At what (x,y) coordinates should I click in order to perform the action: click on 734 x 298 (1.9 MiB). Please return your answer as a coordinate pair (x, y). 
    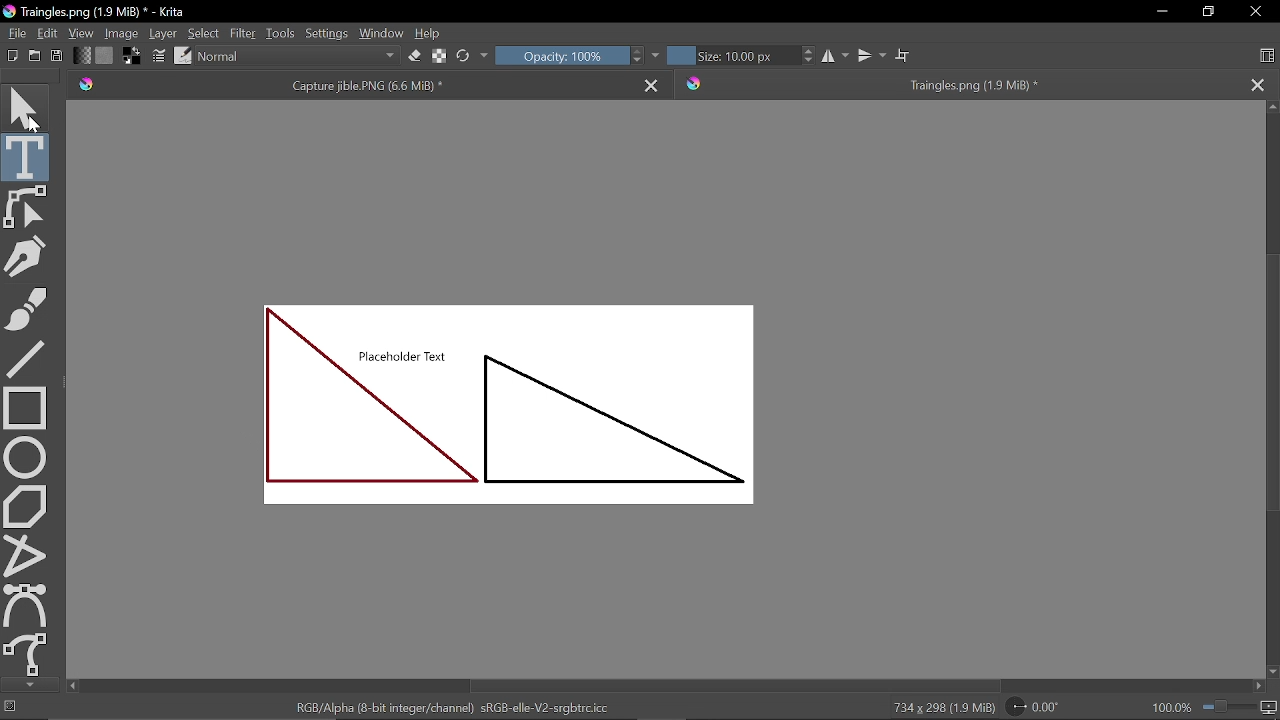
    Looking at the image, I should click on (942, 706).